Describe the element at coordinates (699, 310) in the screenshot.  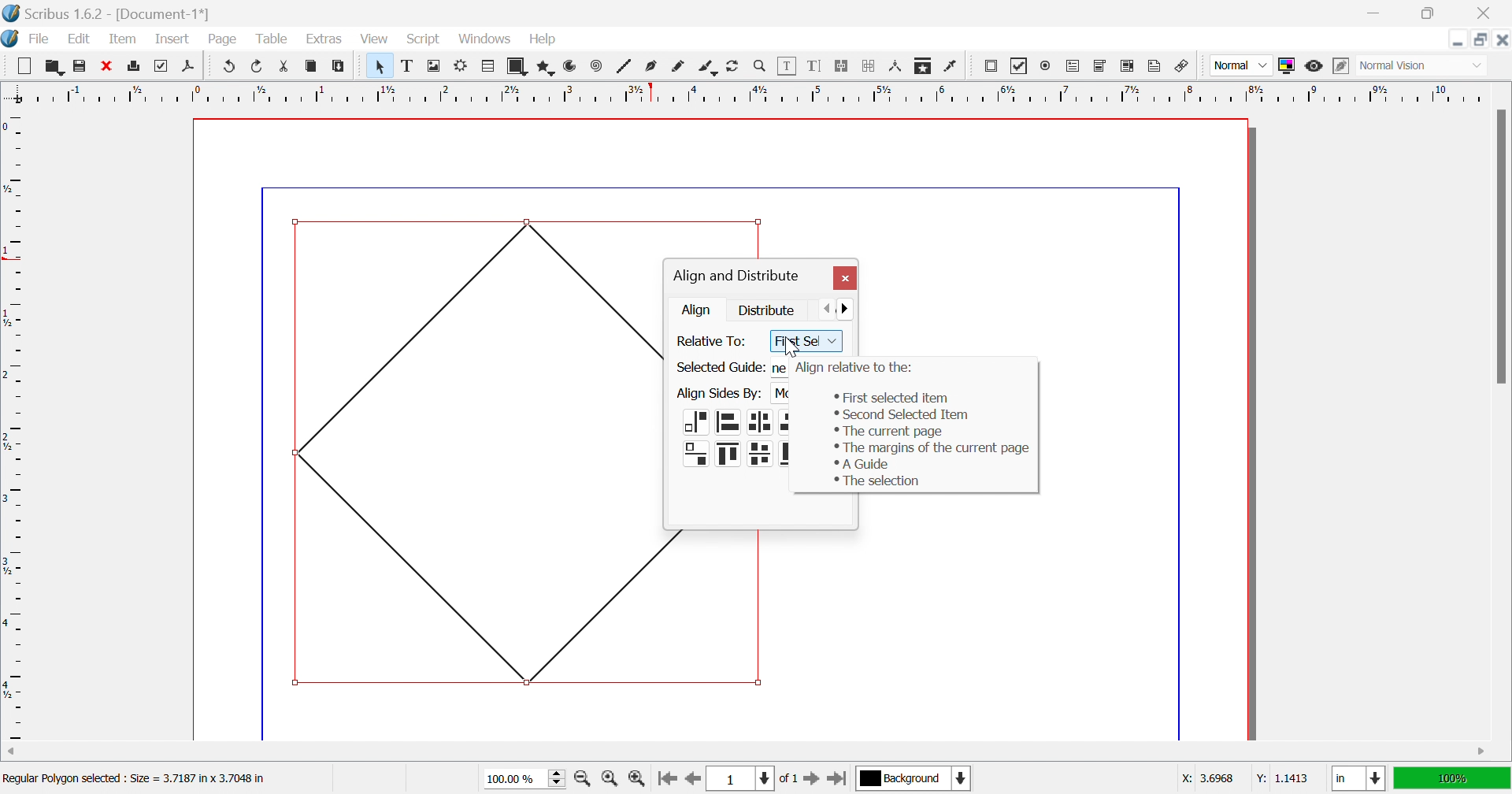
I see `Align` at that location.